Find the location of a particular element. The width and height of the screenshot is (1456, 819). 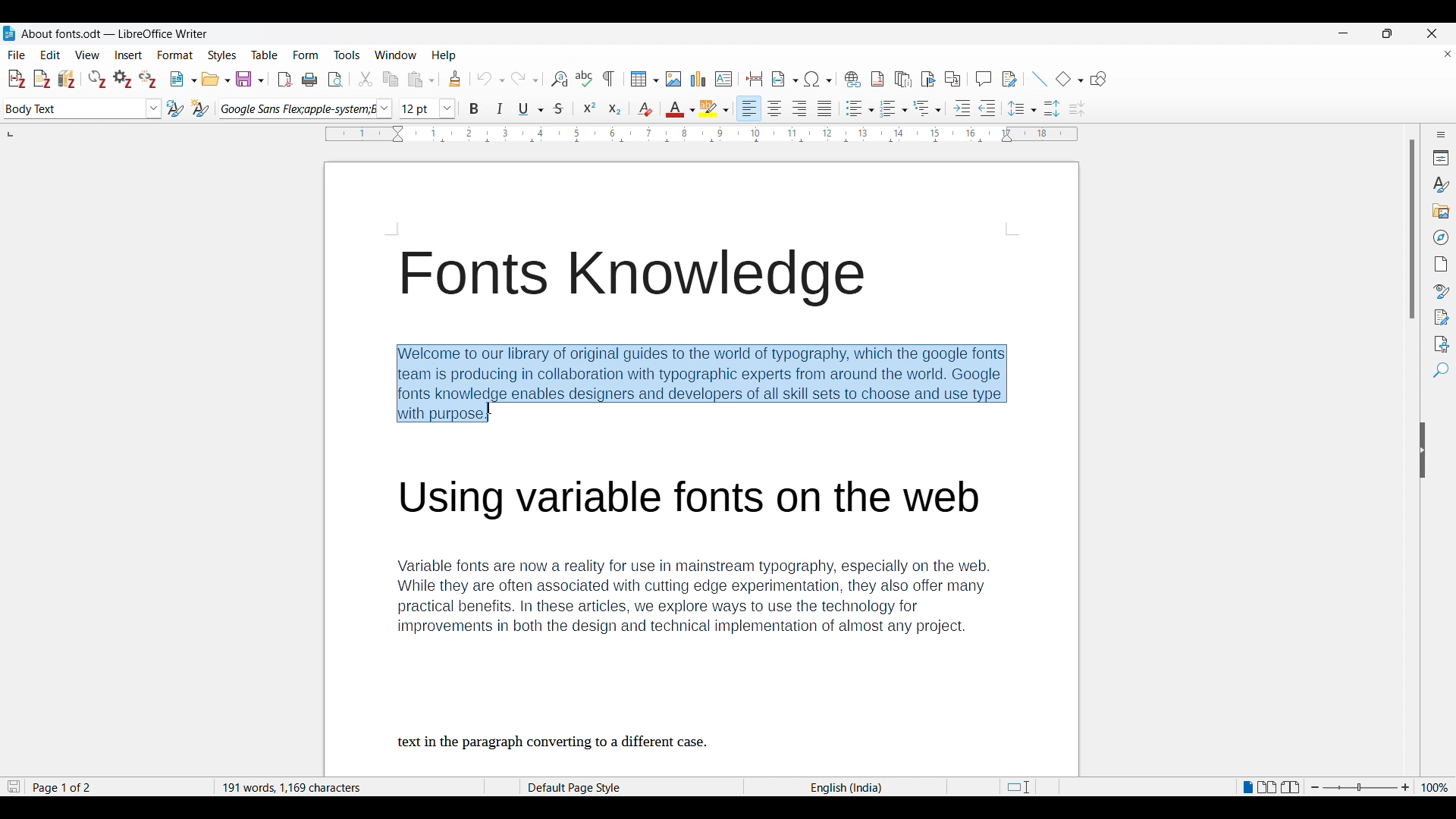

Format menu is located at coordinates (176, 55).